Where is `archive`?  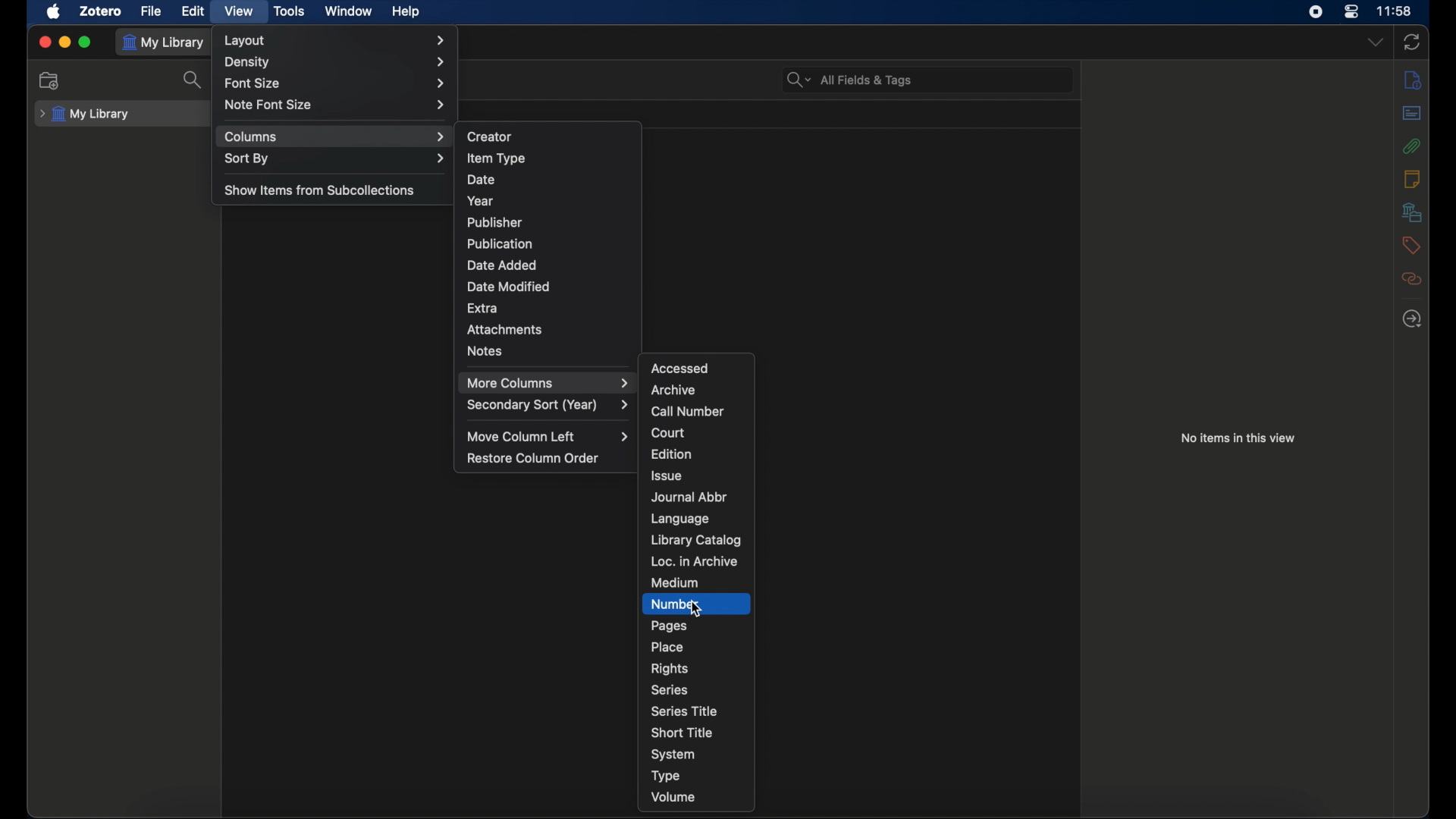 archive is located at coordinates (672, 390).